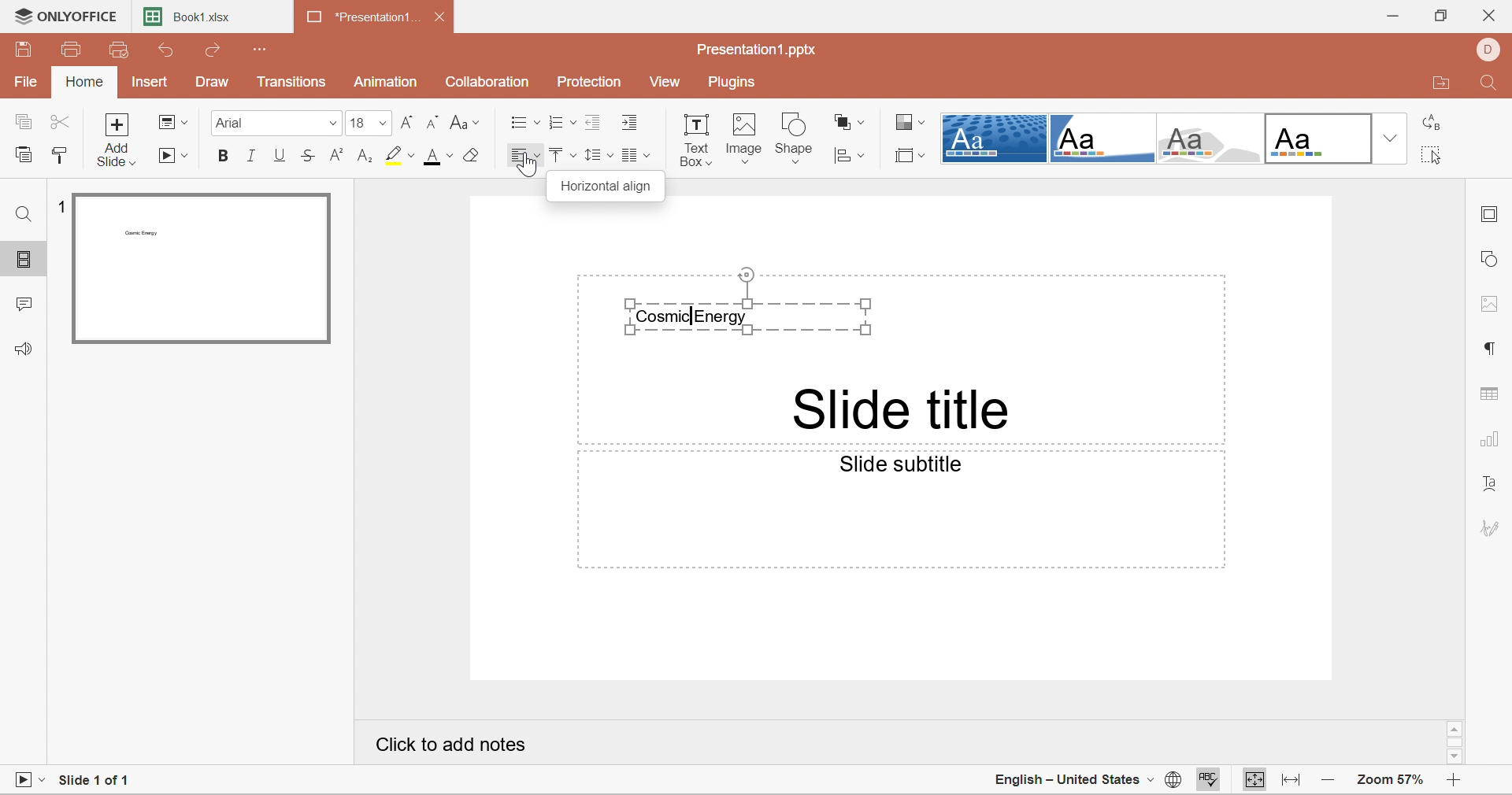 Image resolution: width=1512 pixels, height=795 pixels. What do you see at coordinates (309, 159) in the screenshot?
I see `Strikethrough` at bounding box center [309, 159].